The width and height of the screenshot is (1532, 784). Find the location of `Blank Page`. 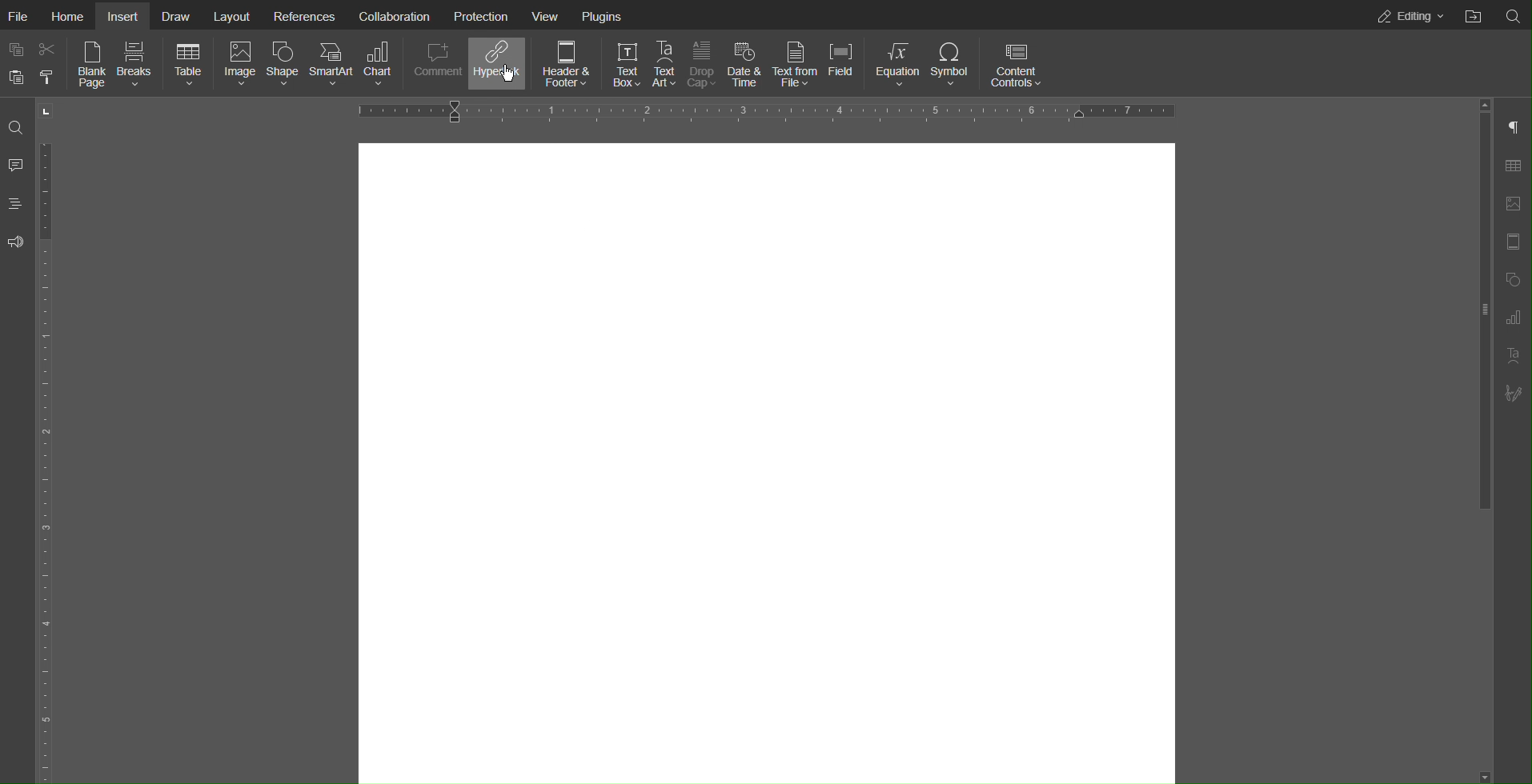

Blank Page is located at coordinates (92, 66).